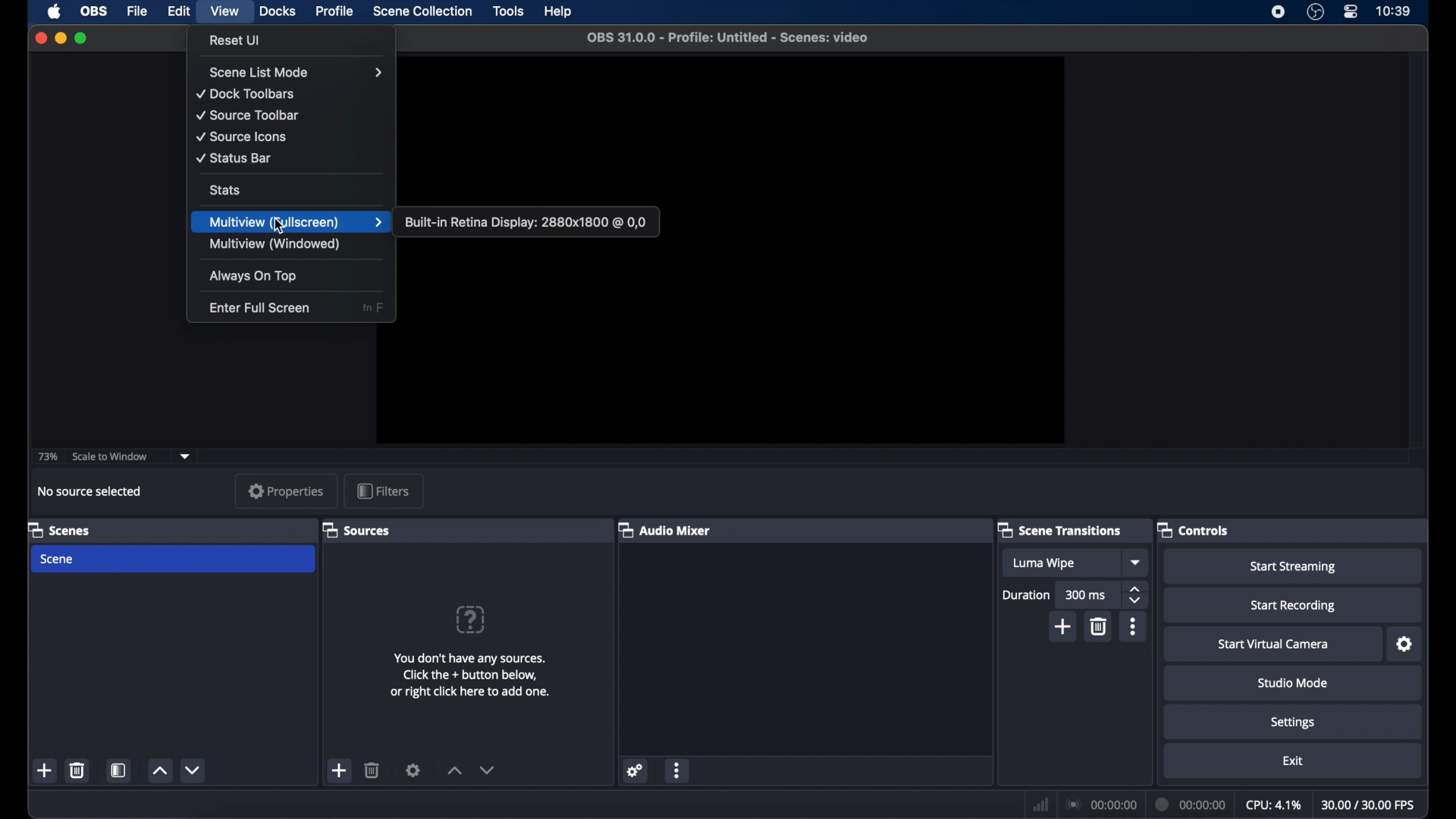 The width and height of the screenshot is (1456, 819). Describe the element at coordinates (1293, 604) in the screenshot. I see `start recording` at that location.